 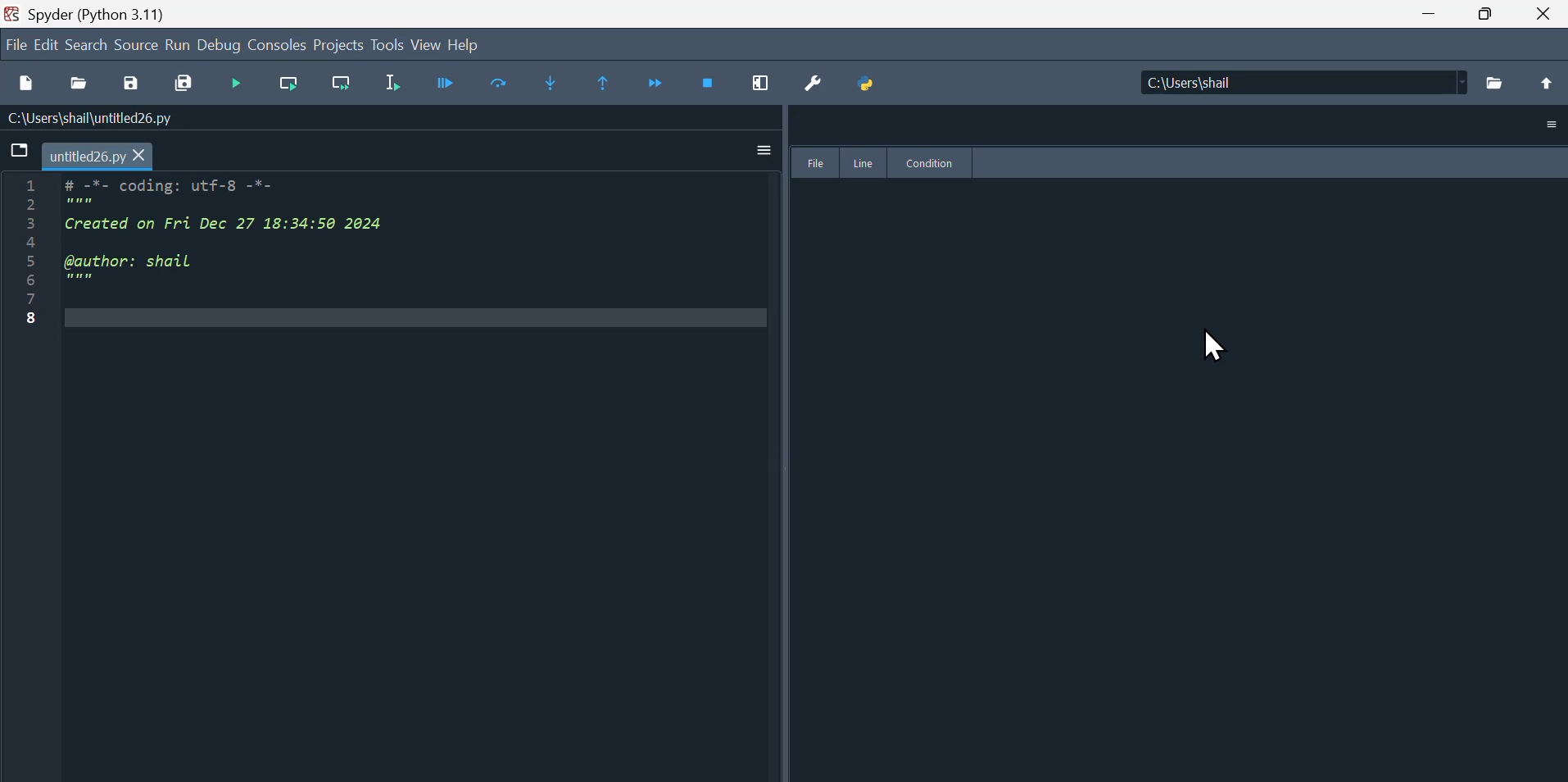 I want to click on Console, so click(x=275, y=47).